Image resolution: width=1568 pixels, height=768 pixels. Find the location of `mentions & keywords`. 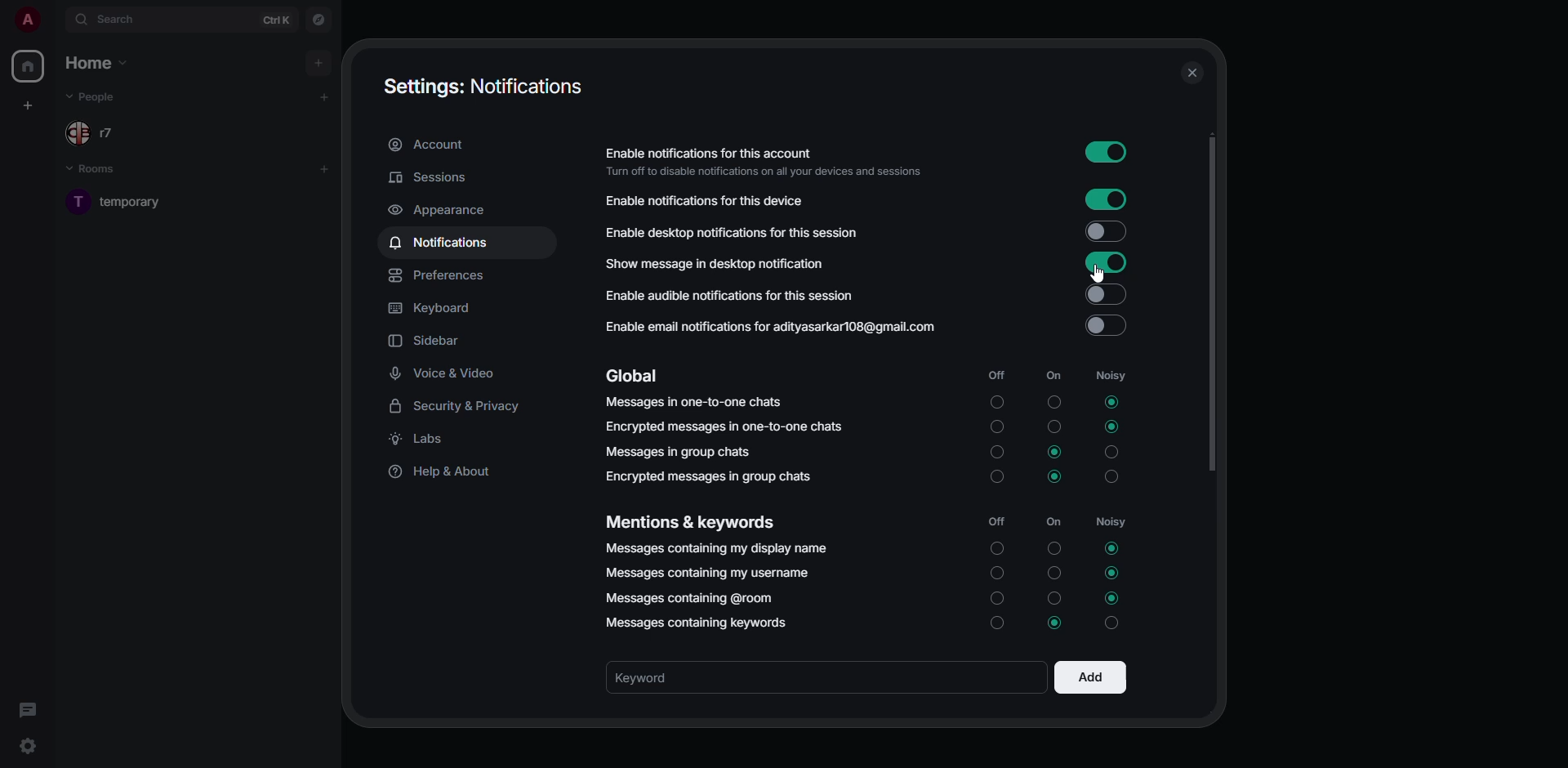

mentions & keywords is located at coordinates (691, 524).